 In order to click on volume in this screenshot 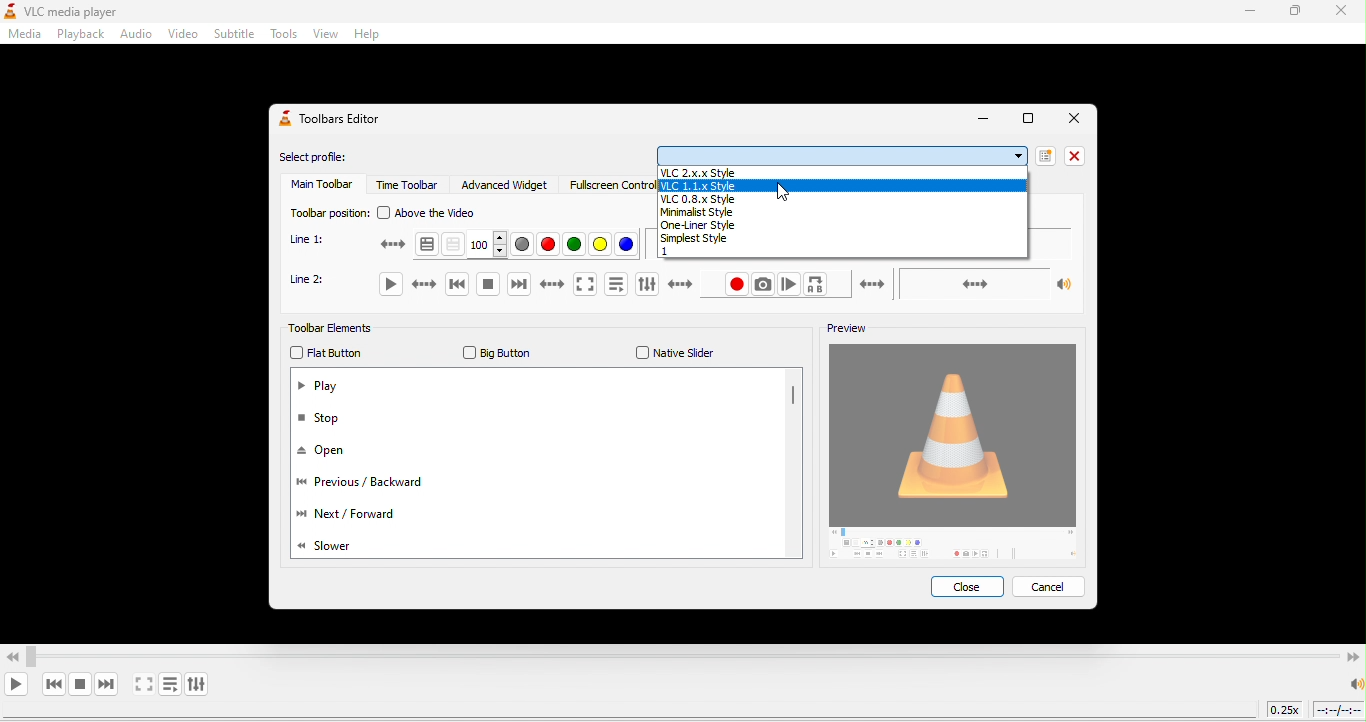, I will do `click(986, 281)`.